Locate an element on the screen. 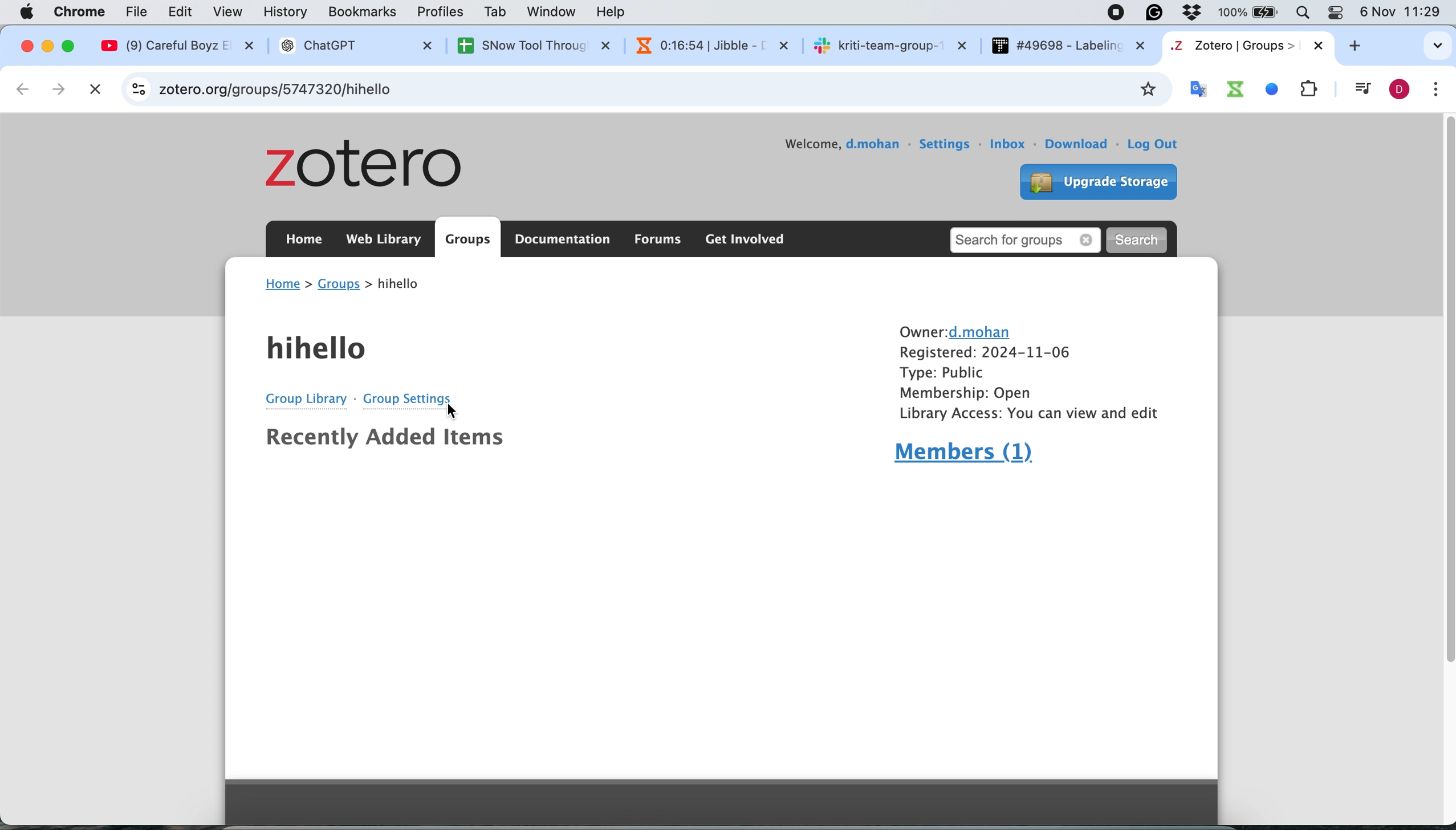 The height and width of the screenshot is (830, 1456). search tabs is located at coordinates (1433, 46).